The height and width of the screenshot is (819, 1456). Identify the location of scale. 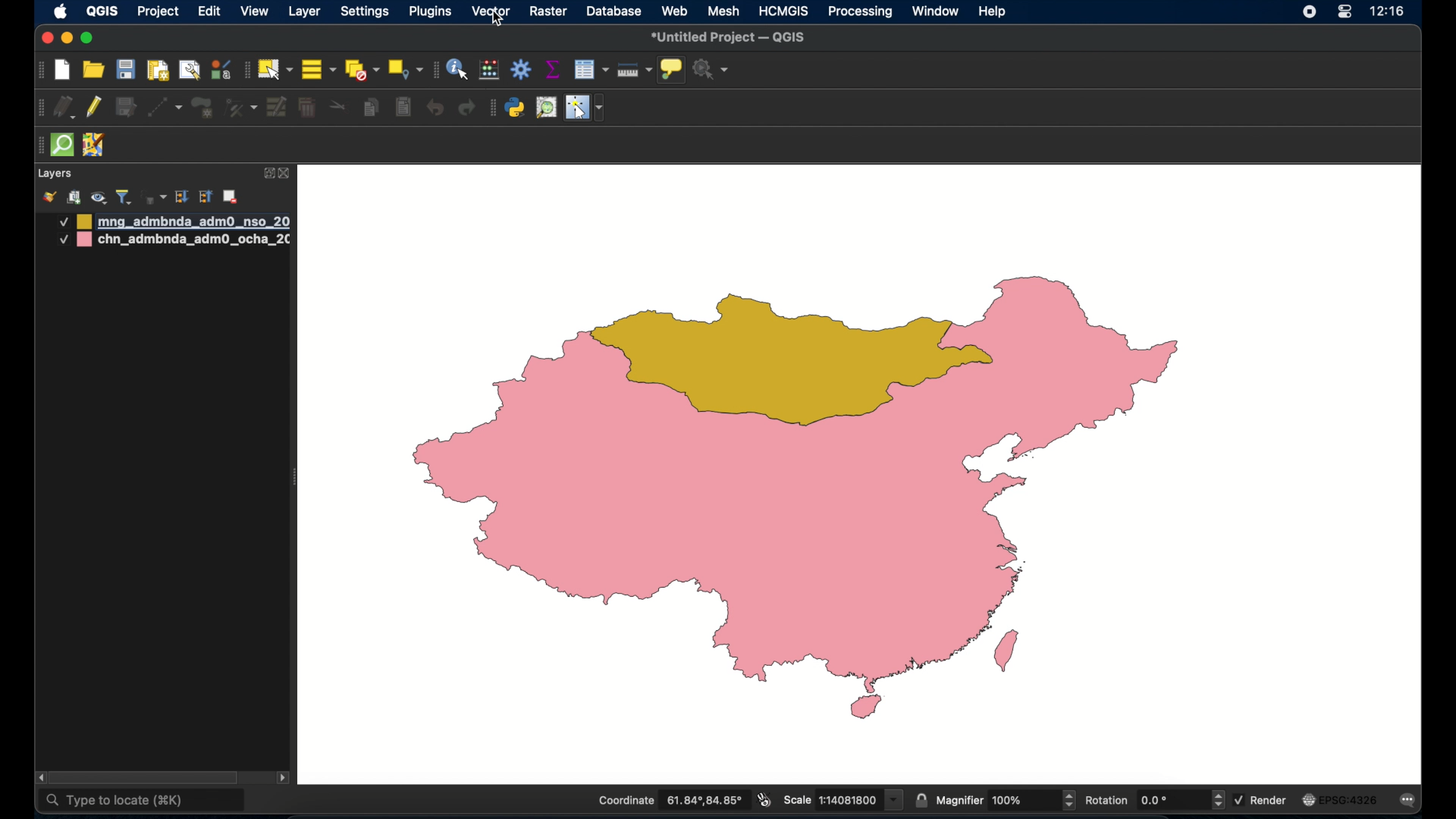
(842, 799).